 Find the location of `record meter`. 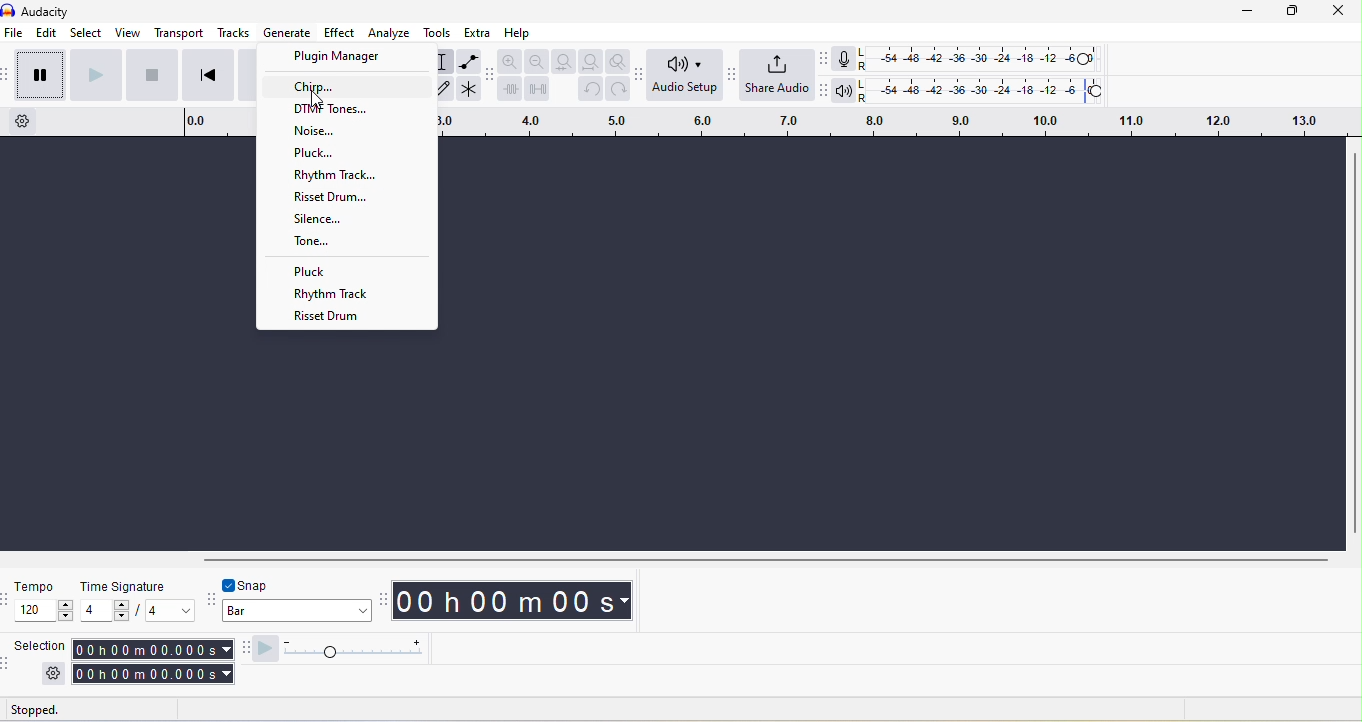

record meter is located at coordinates (848, 58).